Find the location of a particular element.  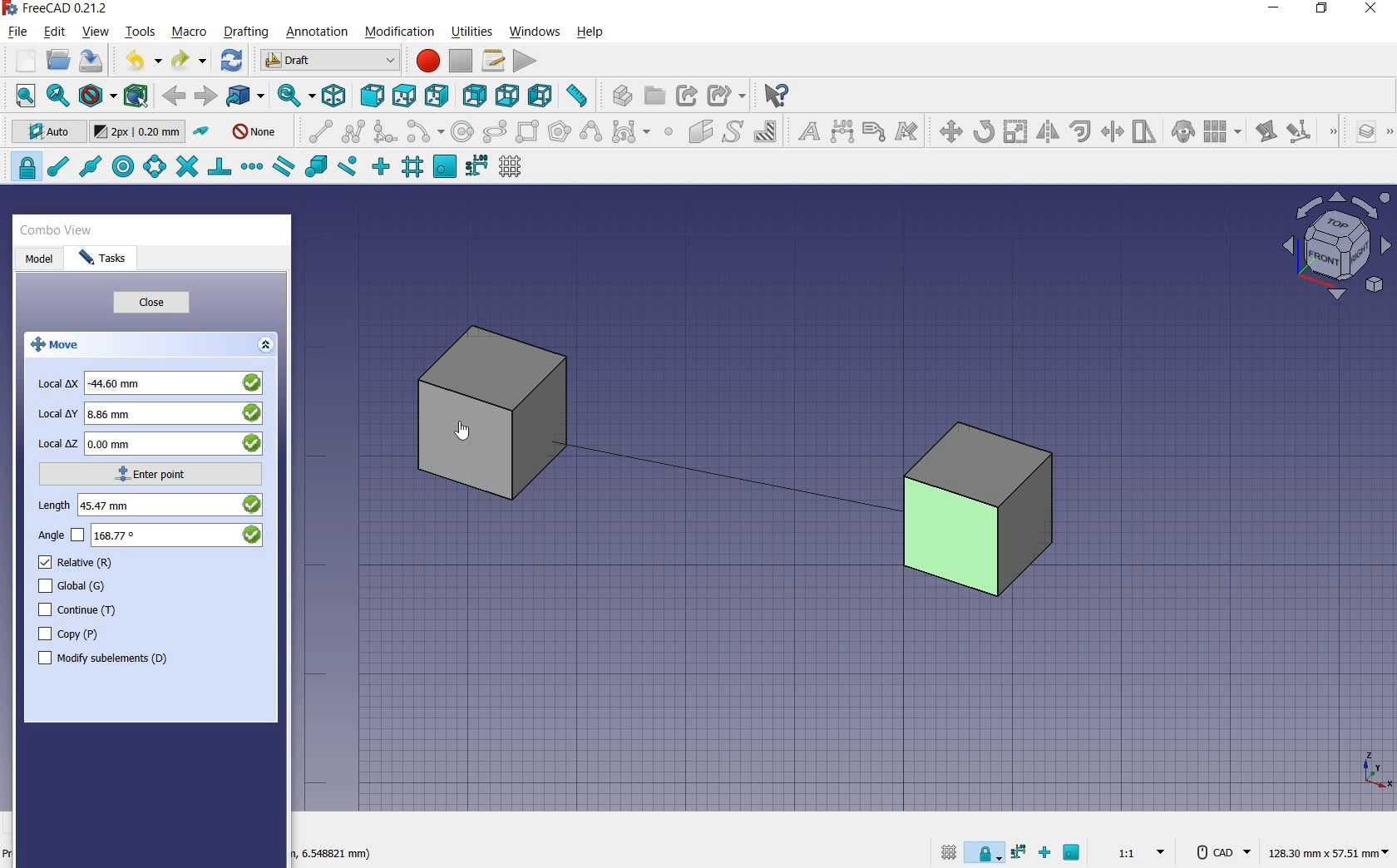

fit selection is located at coordinates (57, 95).